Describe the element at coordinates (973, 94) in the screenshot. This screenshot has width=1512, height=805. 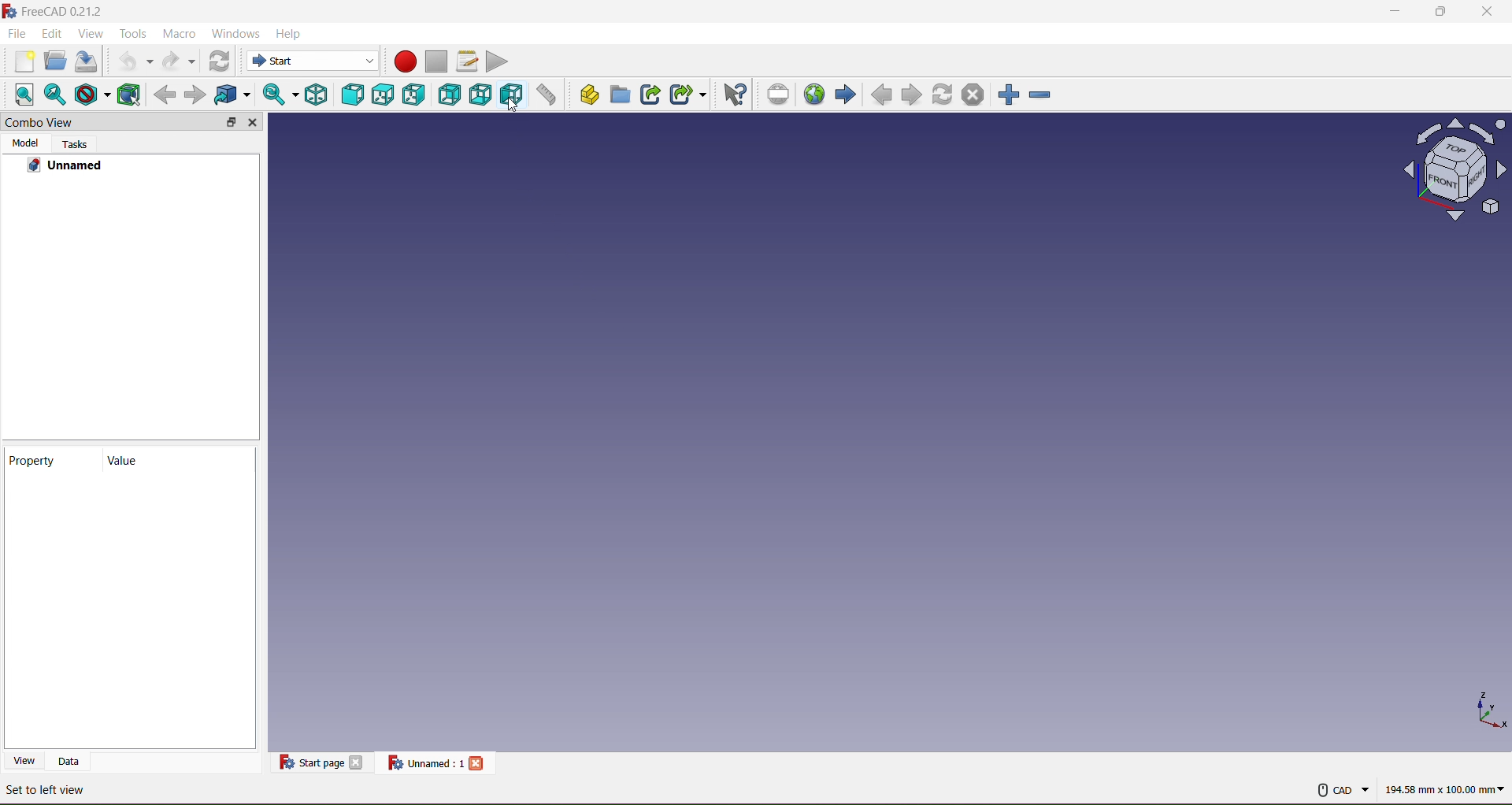
I see `Close Document` at that location.